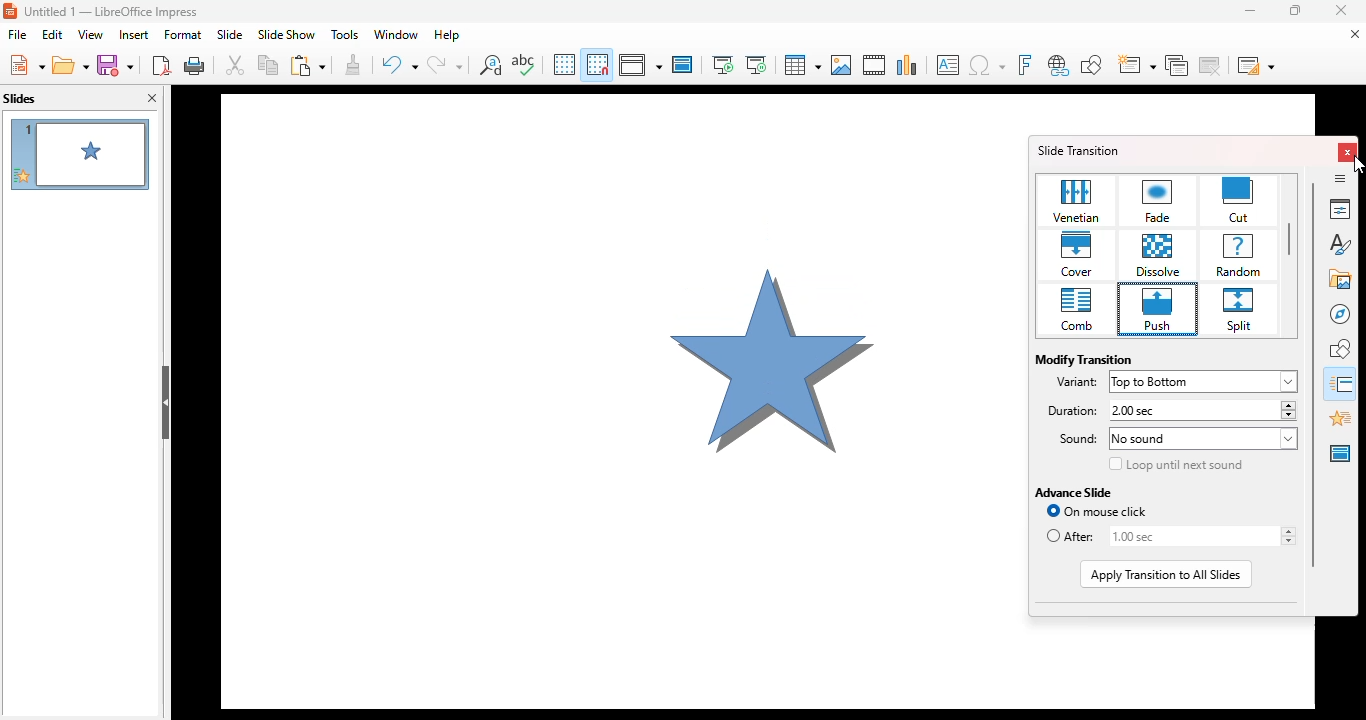 This screenshot has width=1366, height=720. I want to click on close pane, so click(152, 97).